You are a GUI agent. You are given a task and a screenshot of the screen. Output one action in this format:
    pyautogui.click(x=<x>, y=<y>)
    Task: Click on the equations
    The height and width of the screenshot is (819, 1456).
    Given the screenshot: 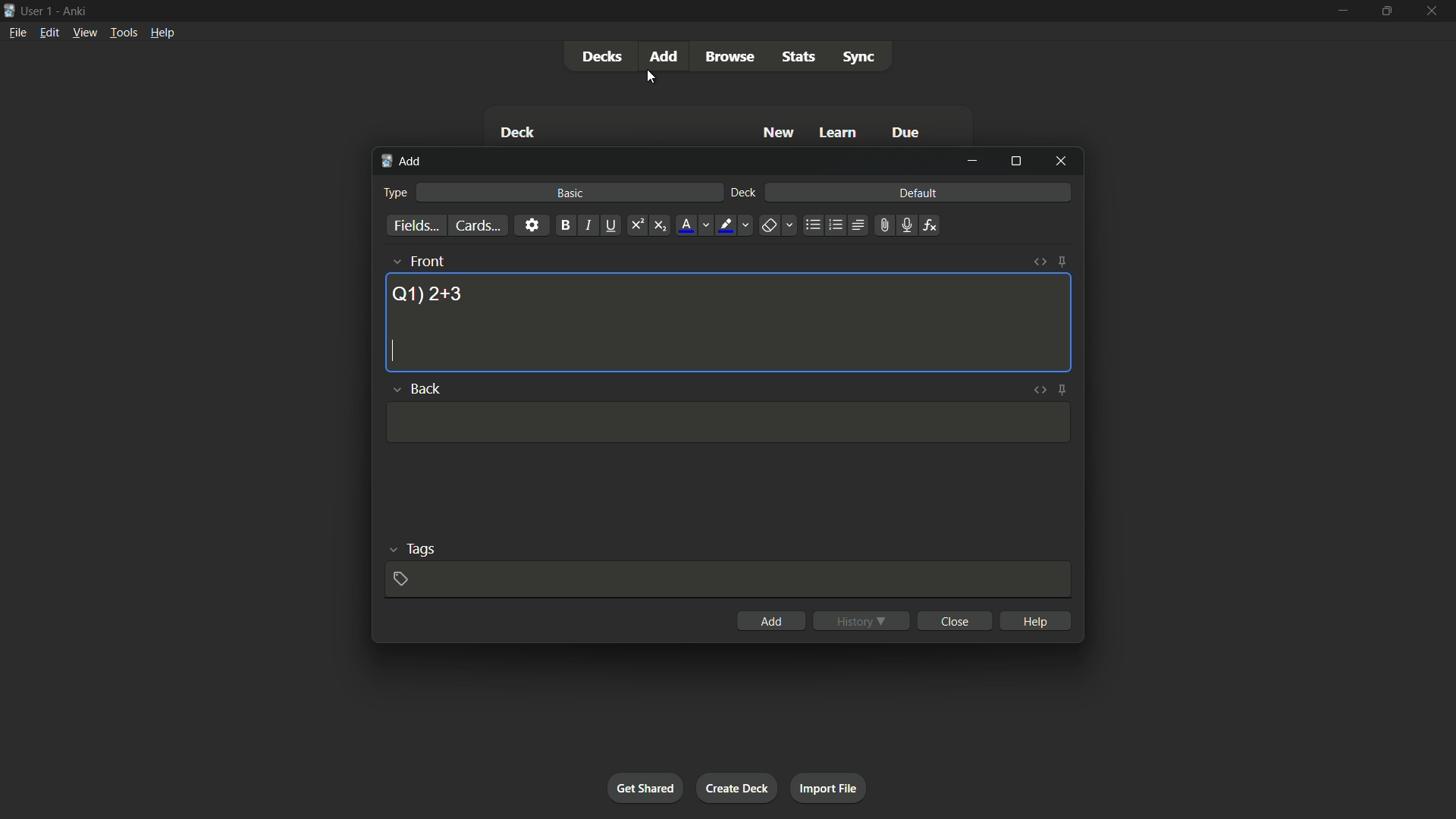 What is the action you would take?
    pyautogui.click(x=930, y=225)
    